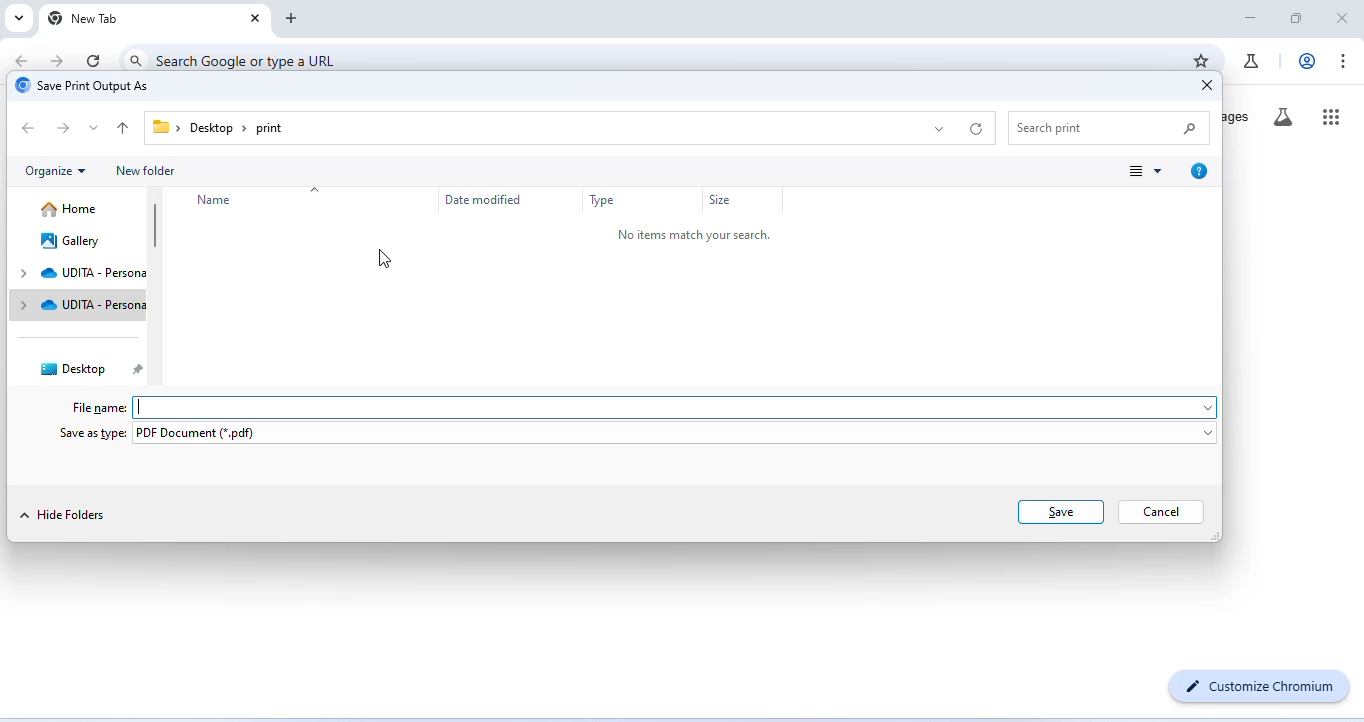 The image size is (1364, 722). Describe the element at coordinates (56, 172) in the screenshot. I see `organize` at that location.